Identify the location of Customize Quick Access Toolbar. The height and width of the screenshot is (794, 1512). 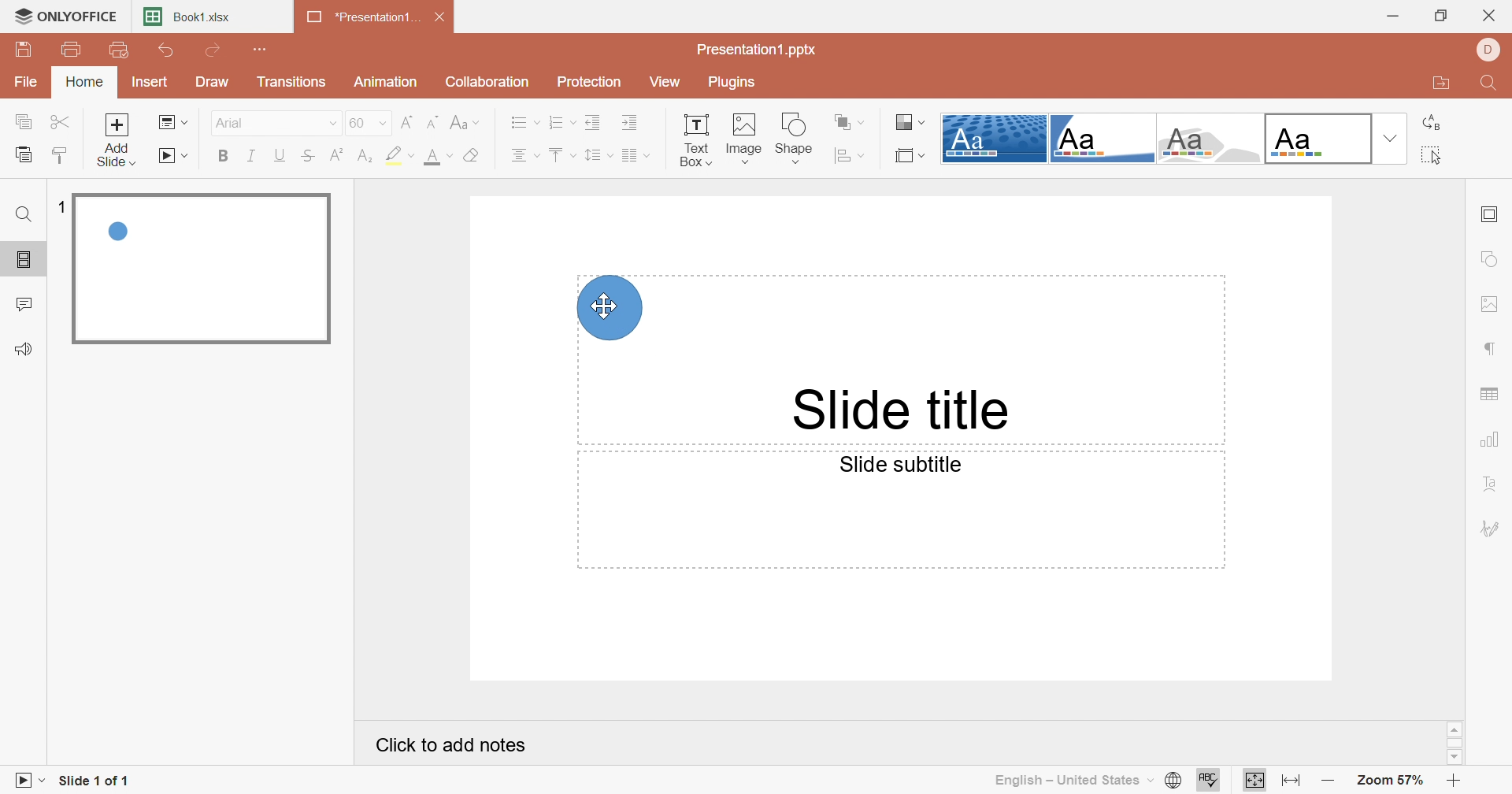
(262, 49).